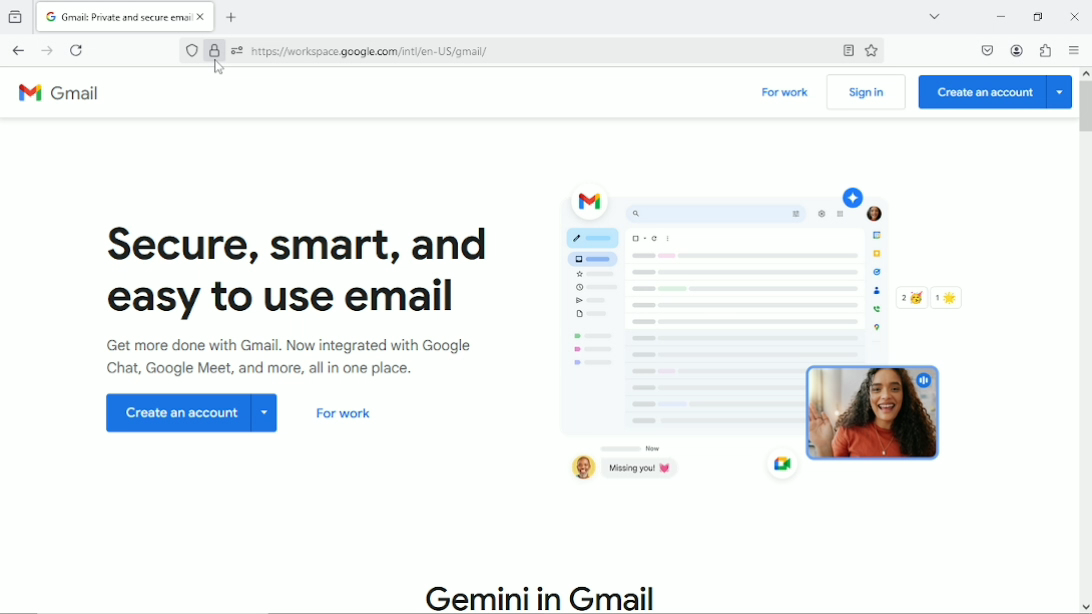  What do you see at coordinates (233, 15) in the screenshot?
I see `New tab` at bounding box center [233, 15].